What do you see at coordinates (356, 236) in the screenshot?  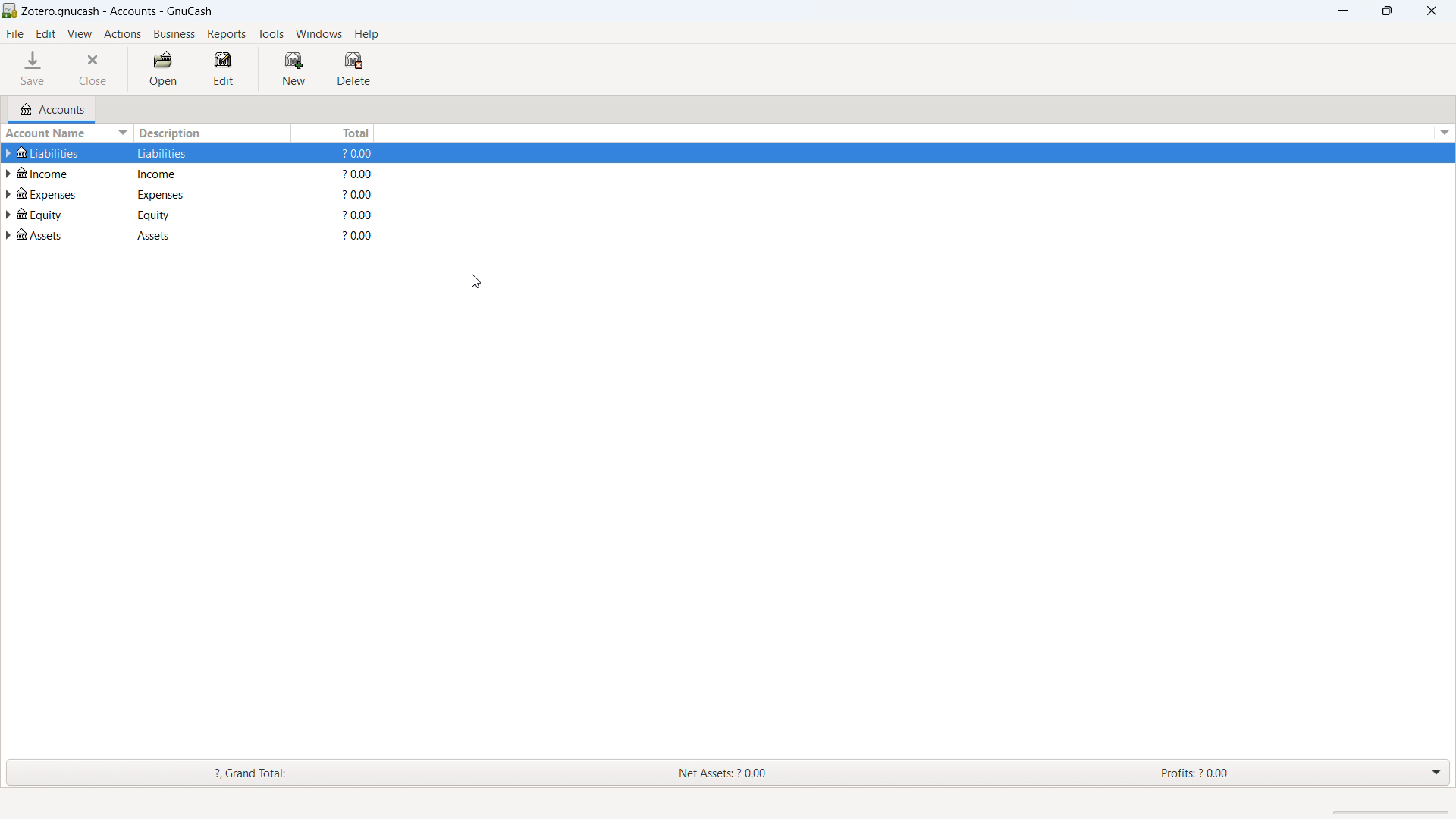 I see `?0.00` at bounding box center [356, 236].